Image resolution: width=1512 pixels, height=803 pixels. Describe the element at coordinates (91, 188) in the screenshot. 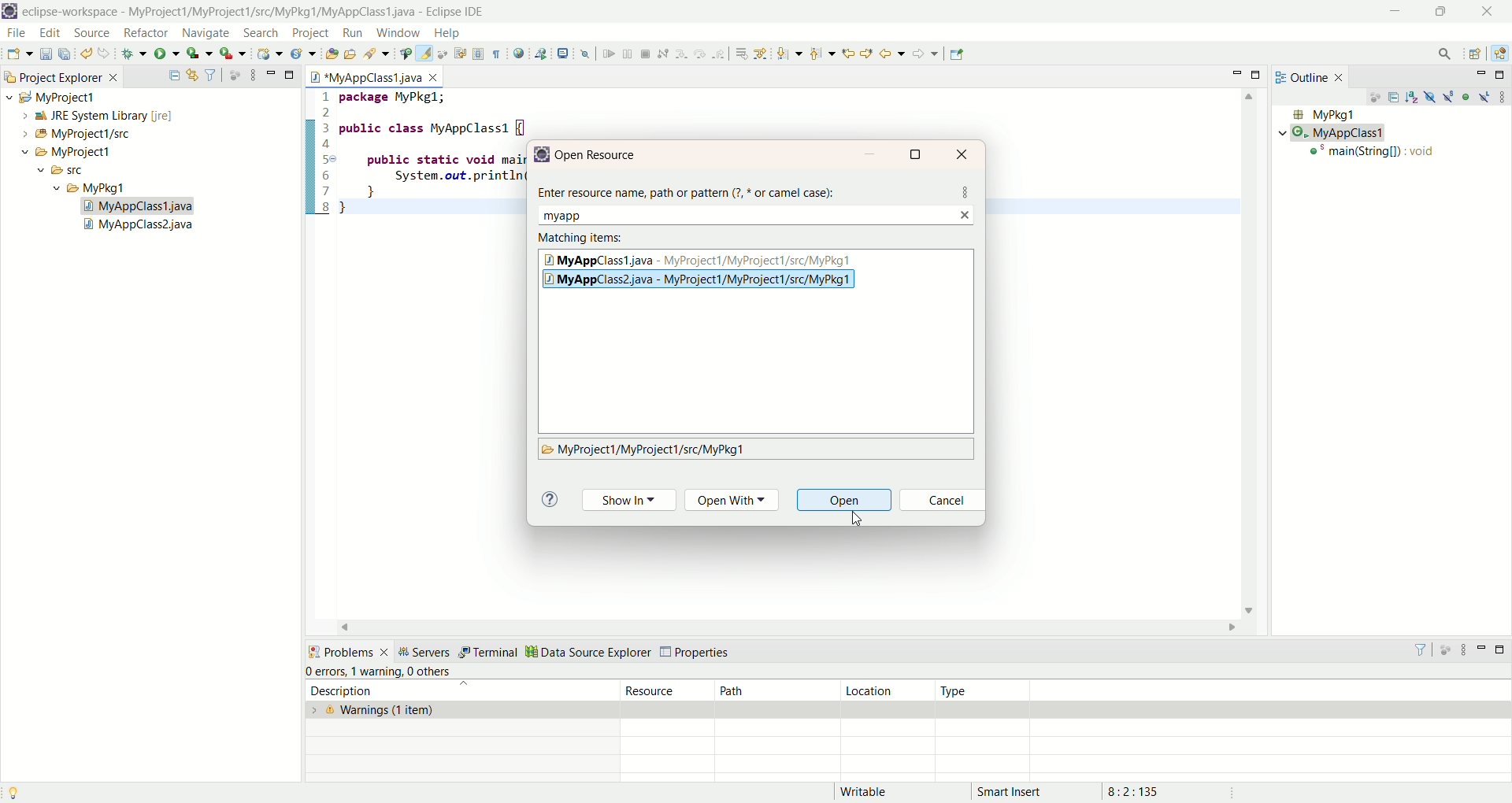

I see `mypkg1` at that location.